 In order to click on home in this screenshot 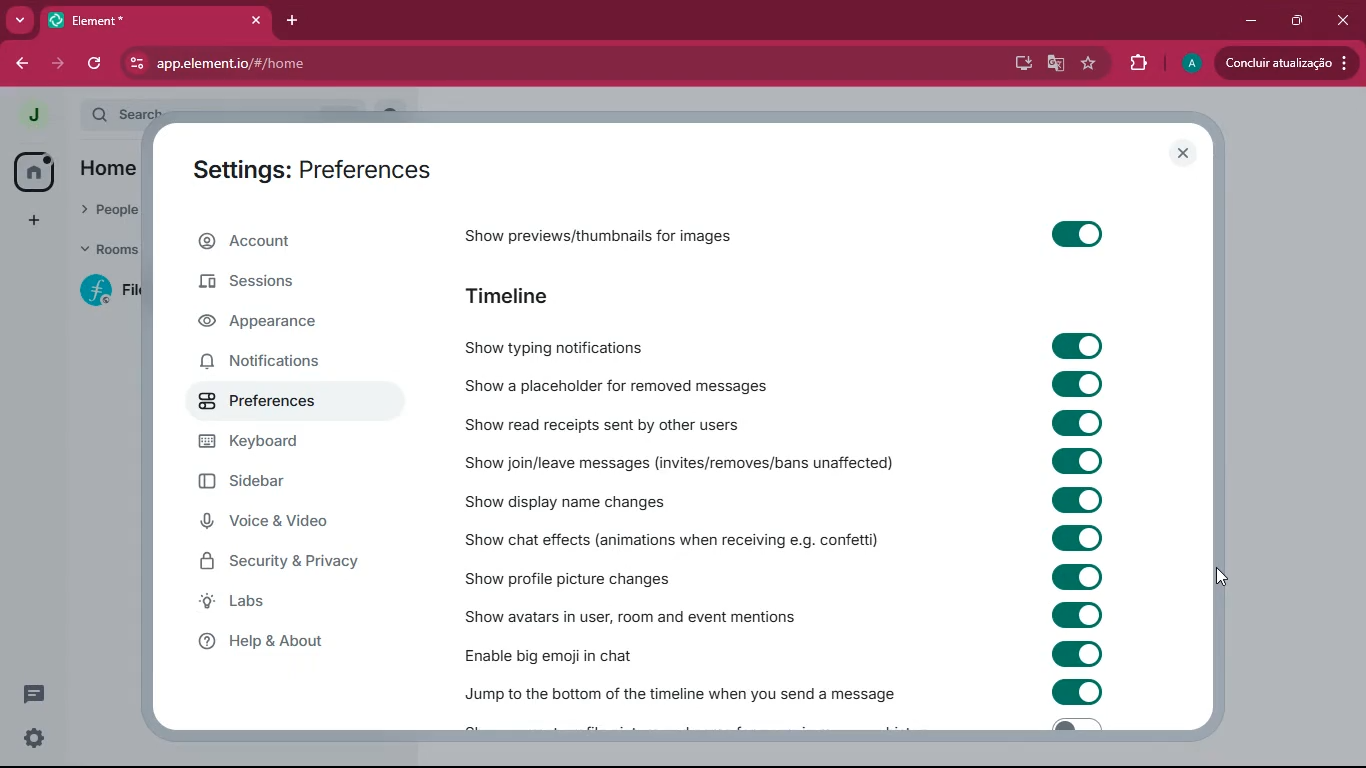, I will do `click(35, 172)`.